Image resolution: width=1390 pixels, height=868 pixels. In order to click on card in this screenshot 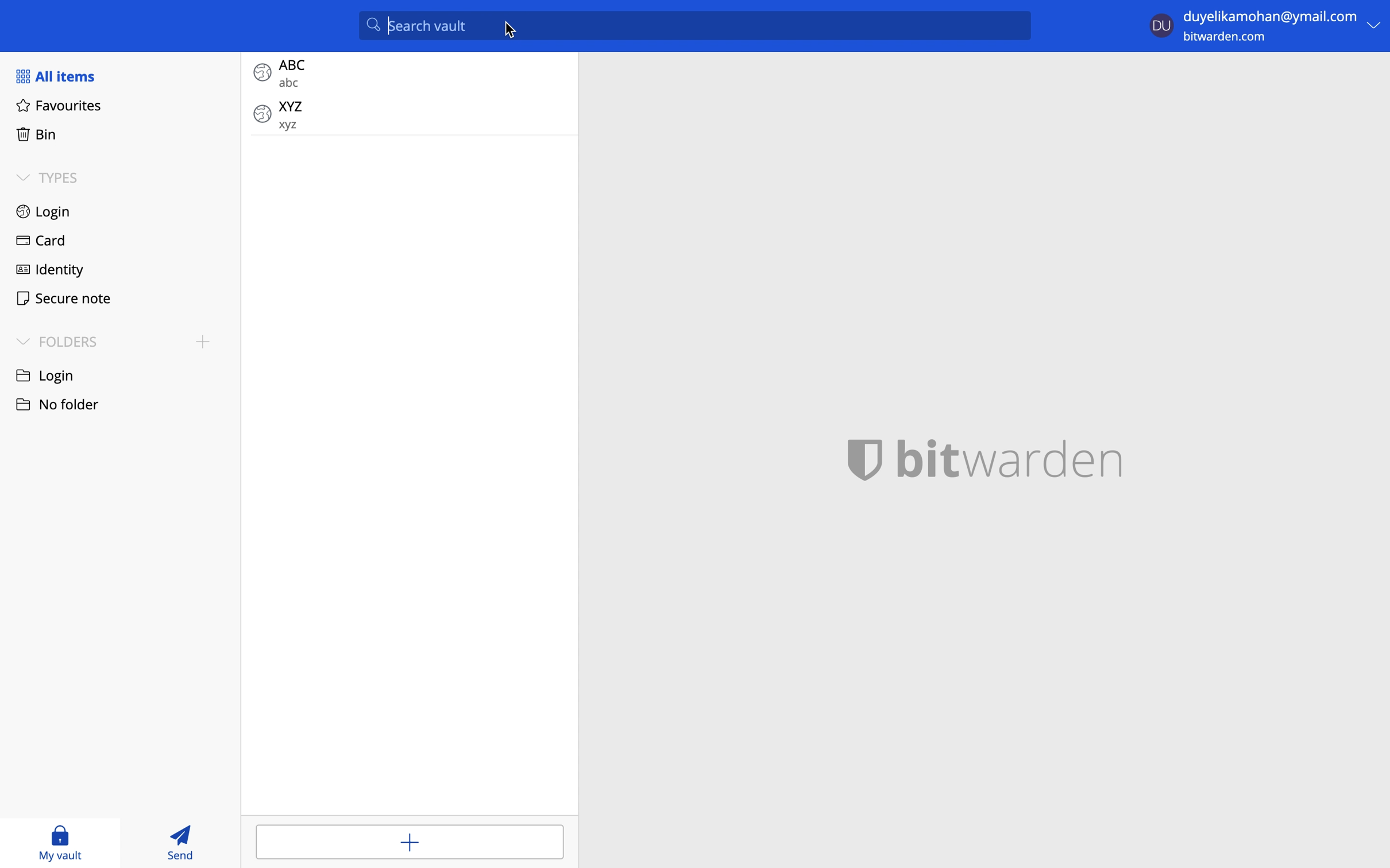, I will do `click(43, 241)`.